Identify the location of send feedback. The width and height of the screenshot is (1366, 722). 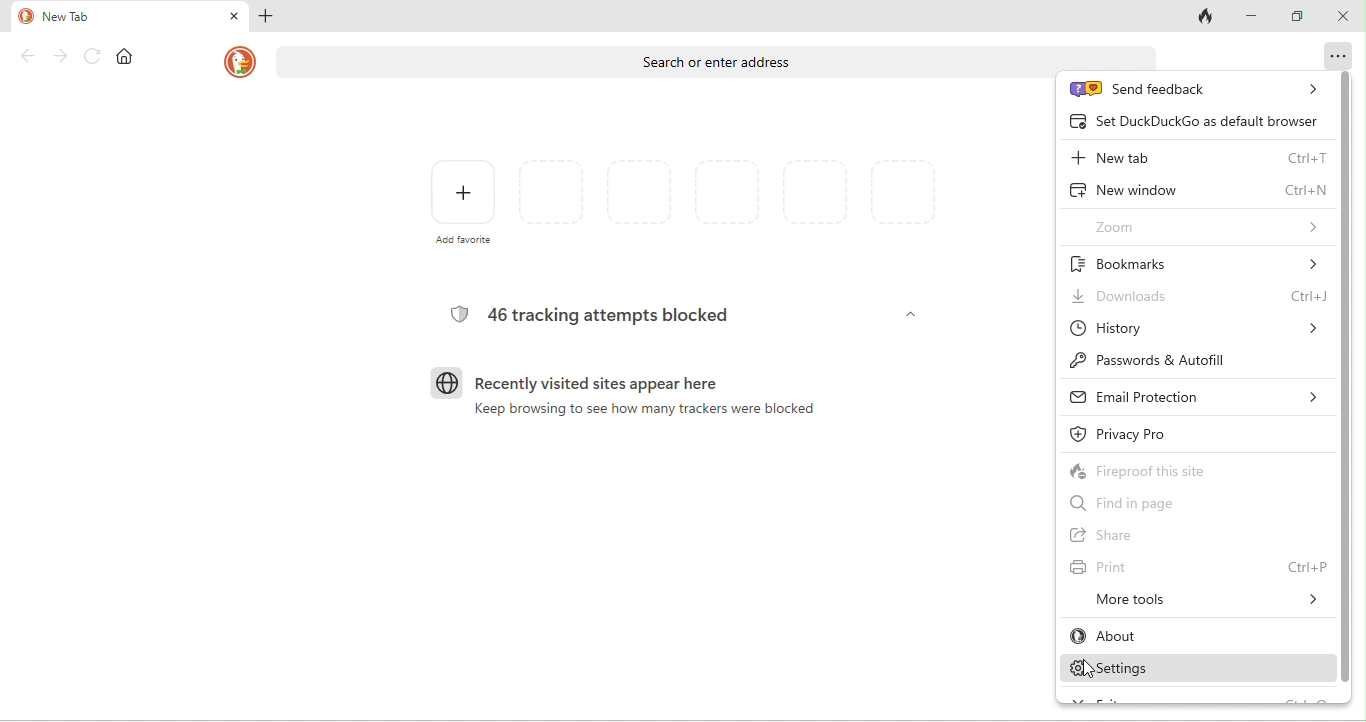
(1195, 89).